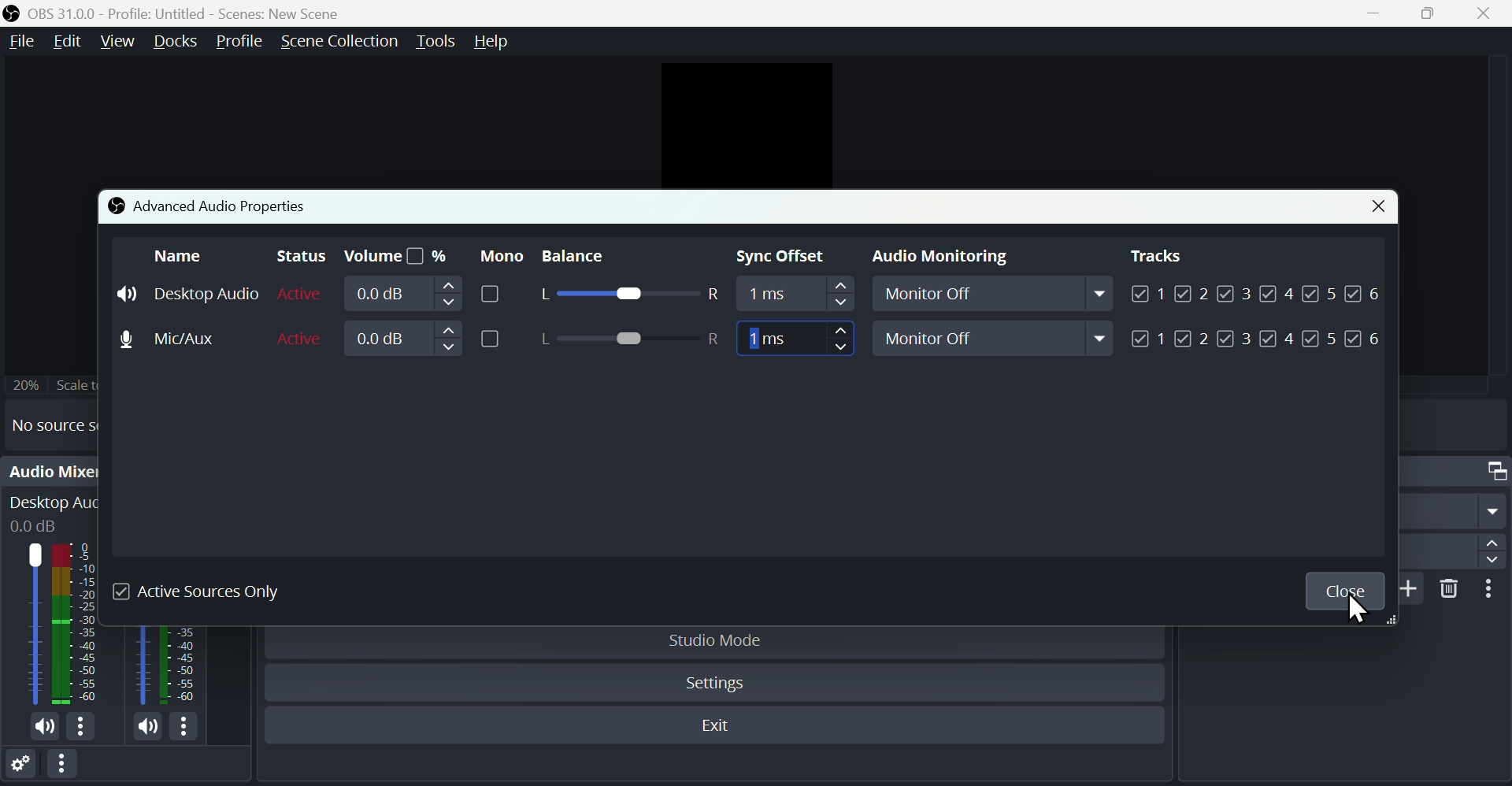 This screenshot has width=1512, height=786. Describe the element at coordinates (1146, 292) in the screenshot. I see `(un)check Track 1` at that location.